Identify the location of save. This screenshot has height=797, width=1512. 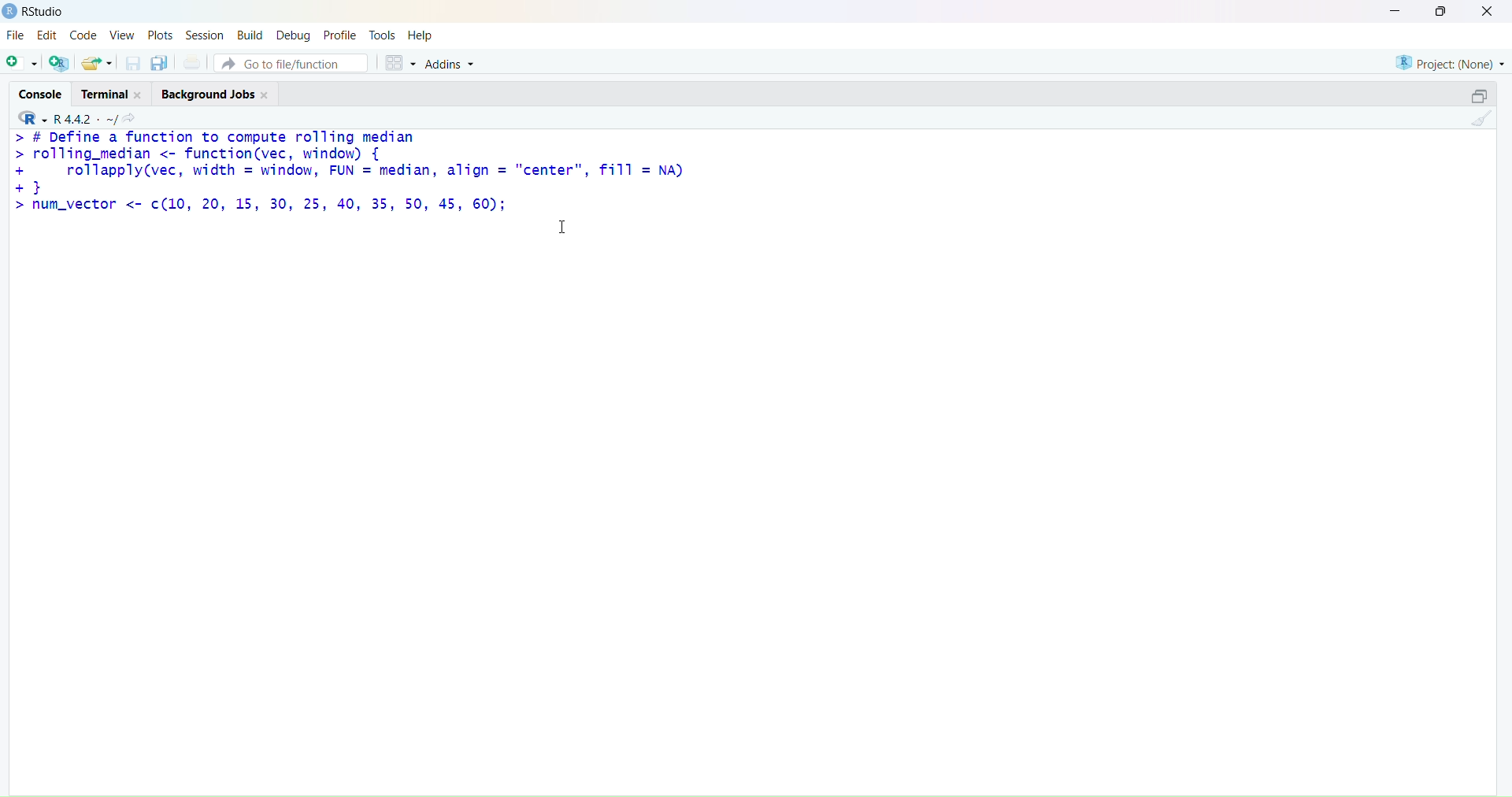
(135, 63).